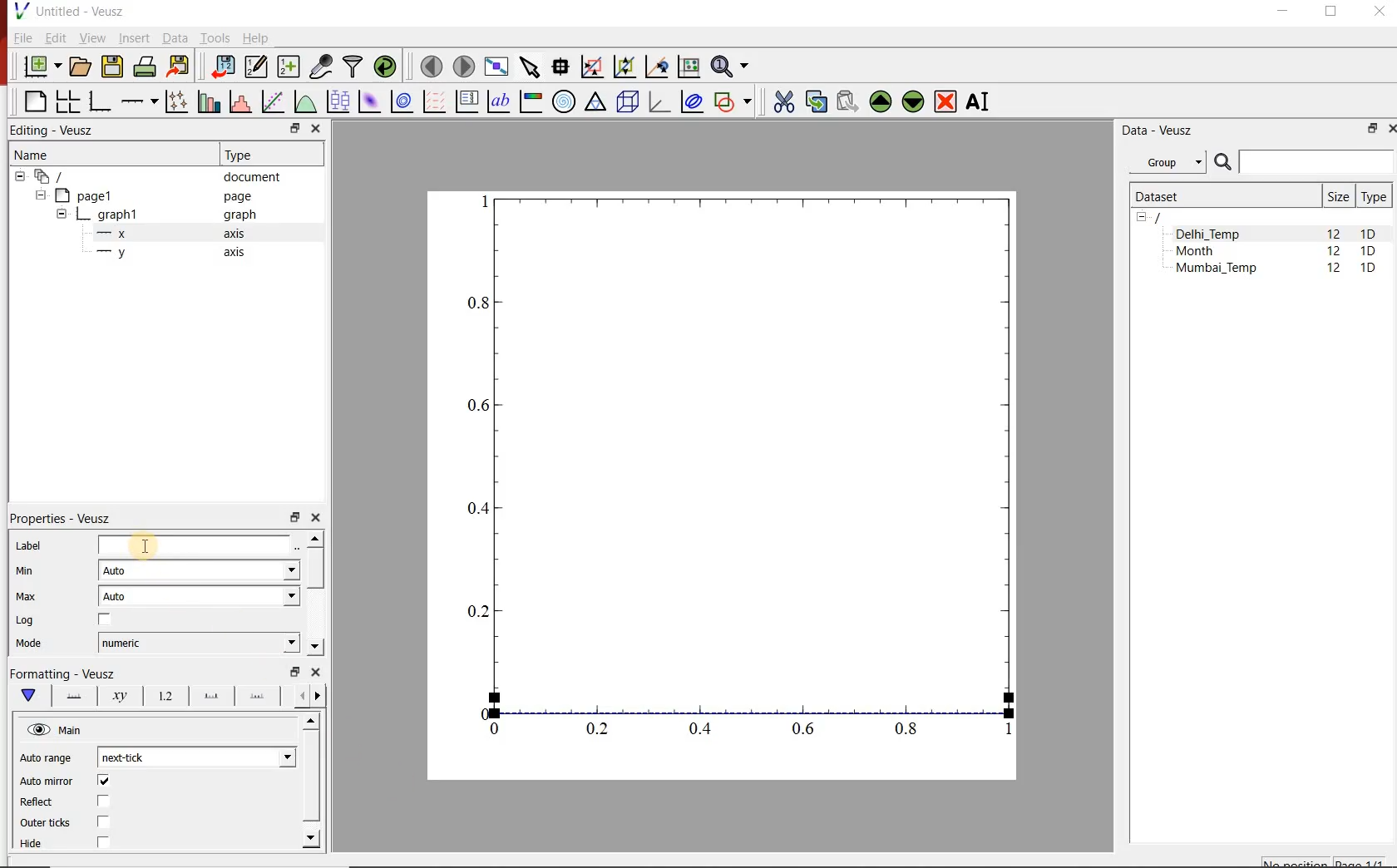 The image size is (1397, 868). Describe the element at coordinates (1369, 234) in the screenshot. I see `1D` at that location.